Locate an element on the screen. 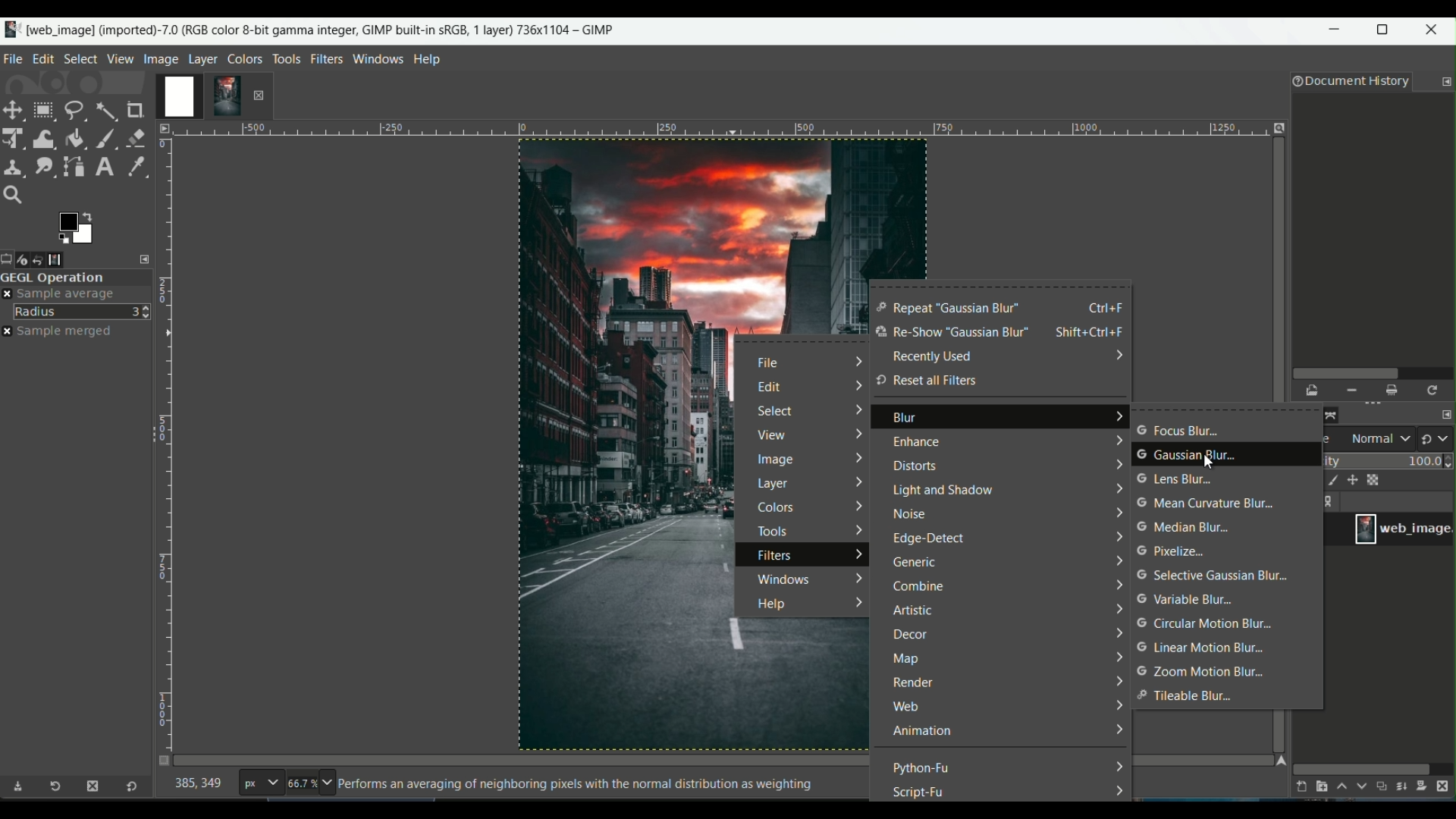 Image resolution: width=1456 pixels, height=819 pixels. change mode is located at coordinates (1437, 438).